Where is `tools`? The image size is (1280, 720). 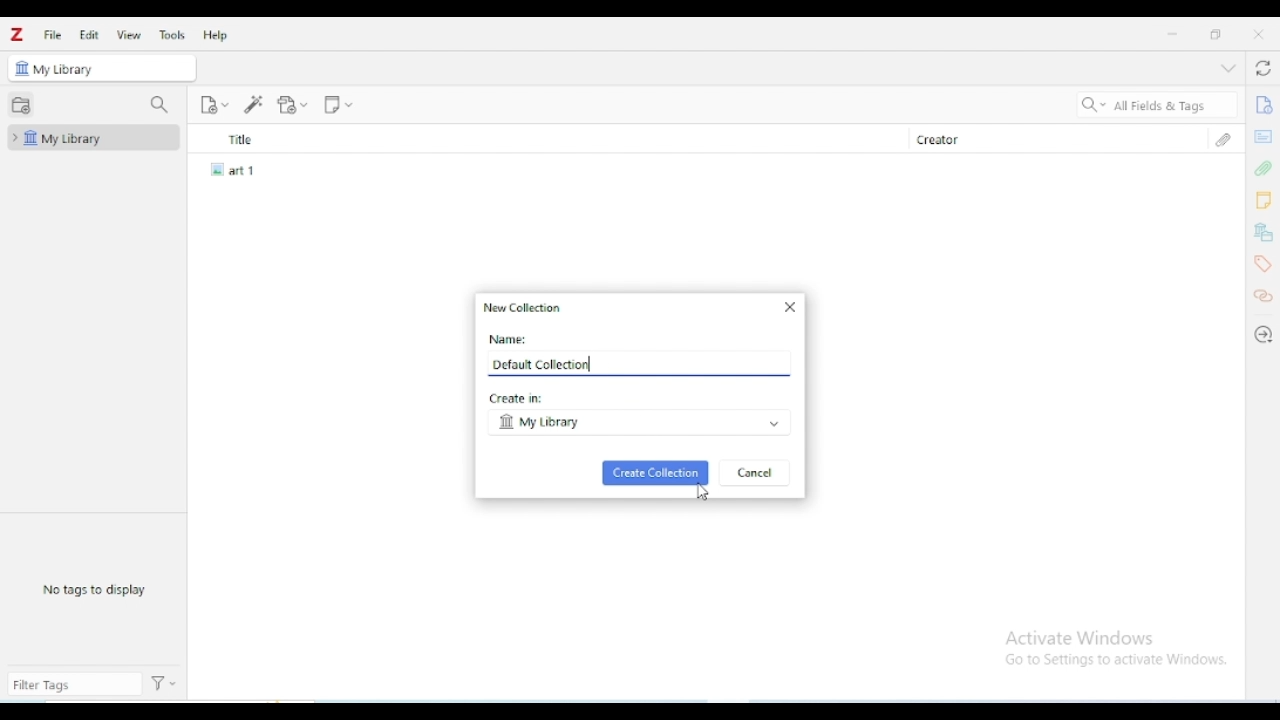 tools is located at coordinates (172, 35).